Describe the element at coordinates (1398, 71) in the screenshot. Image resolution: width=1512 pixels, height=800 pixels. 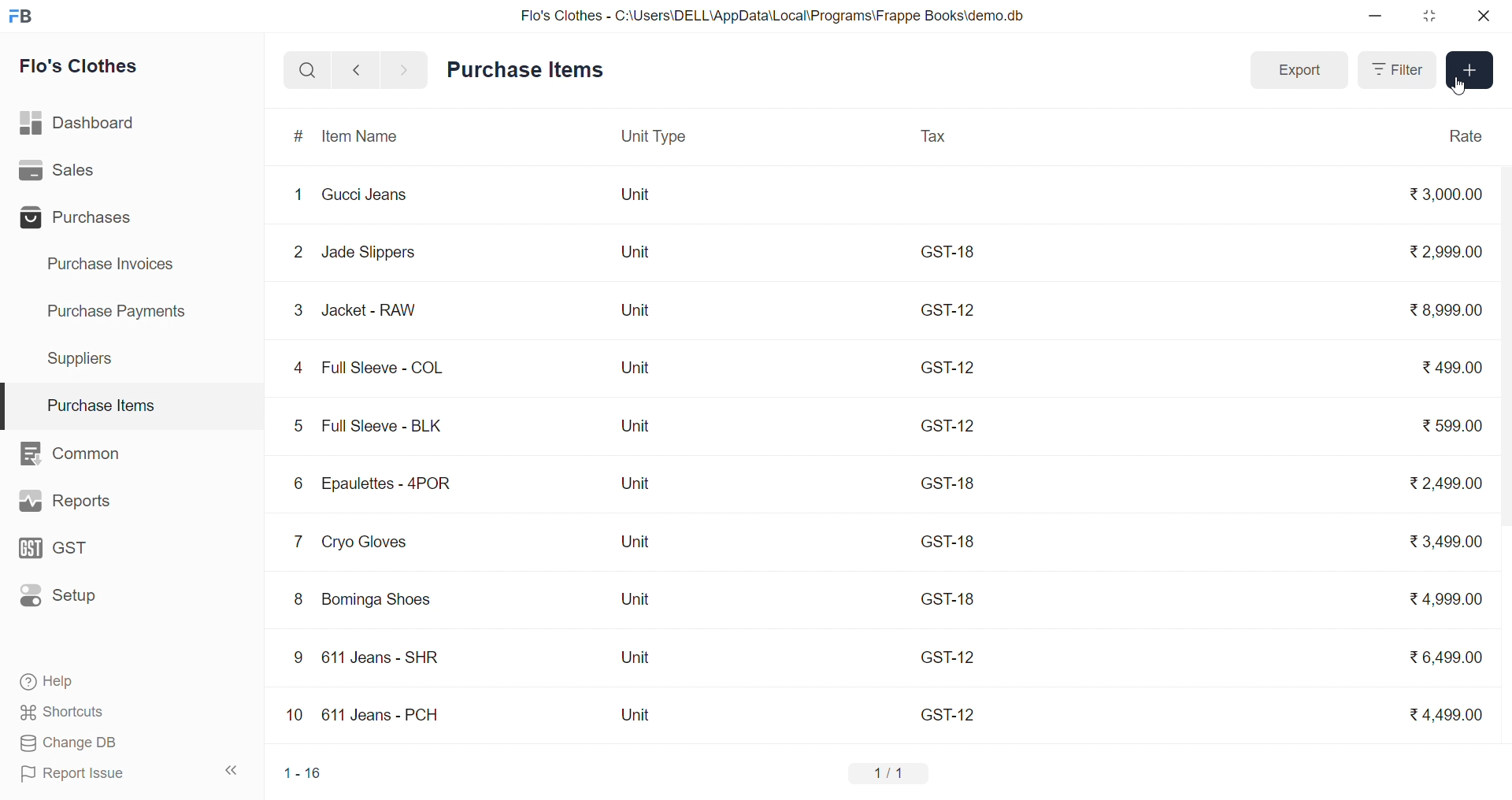
I see `Filter` at that location.